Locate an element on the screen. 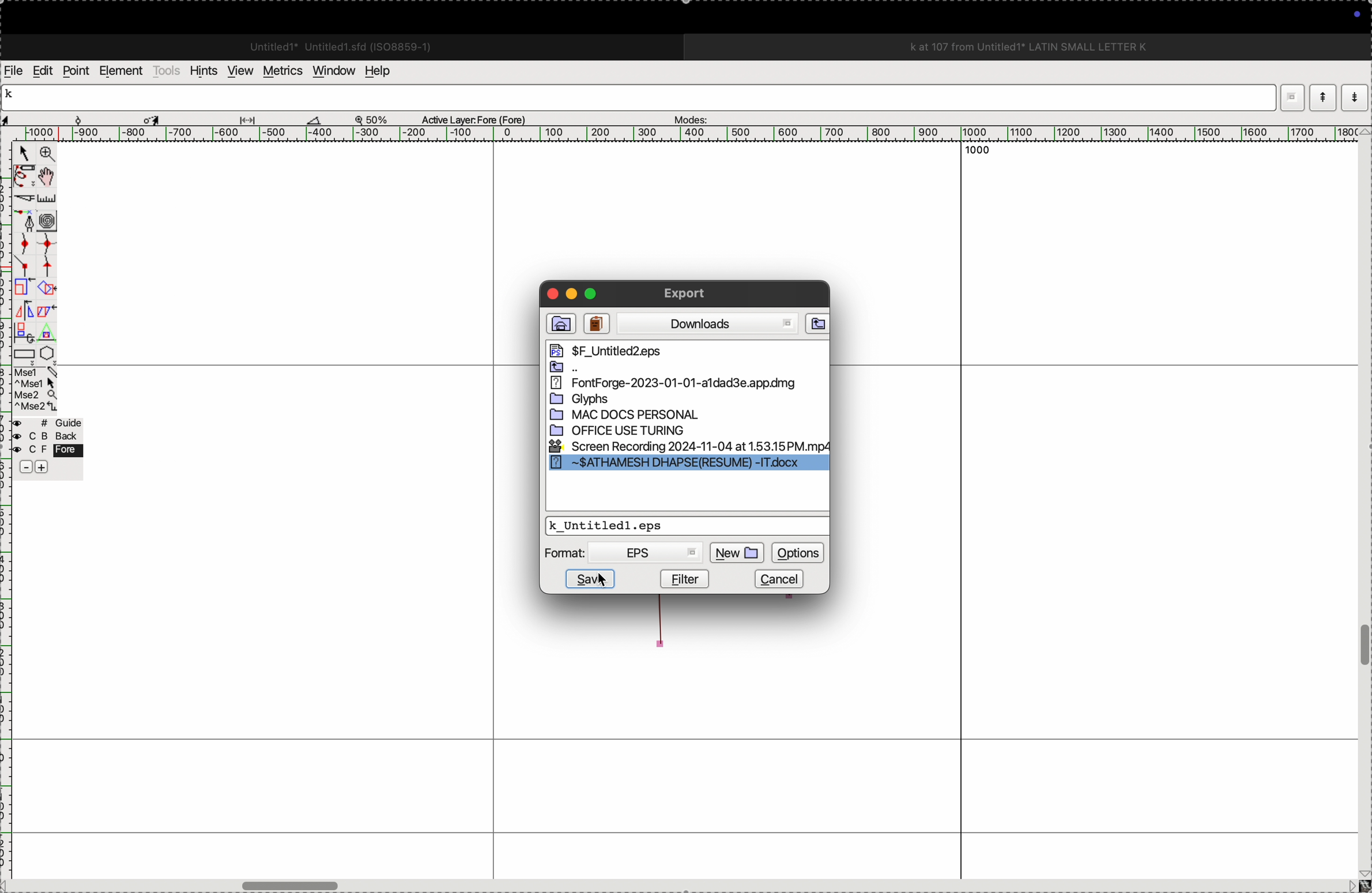 Image resolution: width=1372 pixels, height=893 pixels. cut is located at coordinates (314, 119).